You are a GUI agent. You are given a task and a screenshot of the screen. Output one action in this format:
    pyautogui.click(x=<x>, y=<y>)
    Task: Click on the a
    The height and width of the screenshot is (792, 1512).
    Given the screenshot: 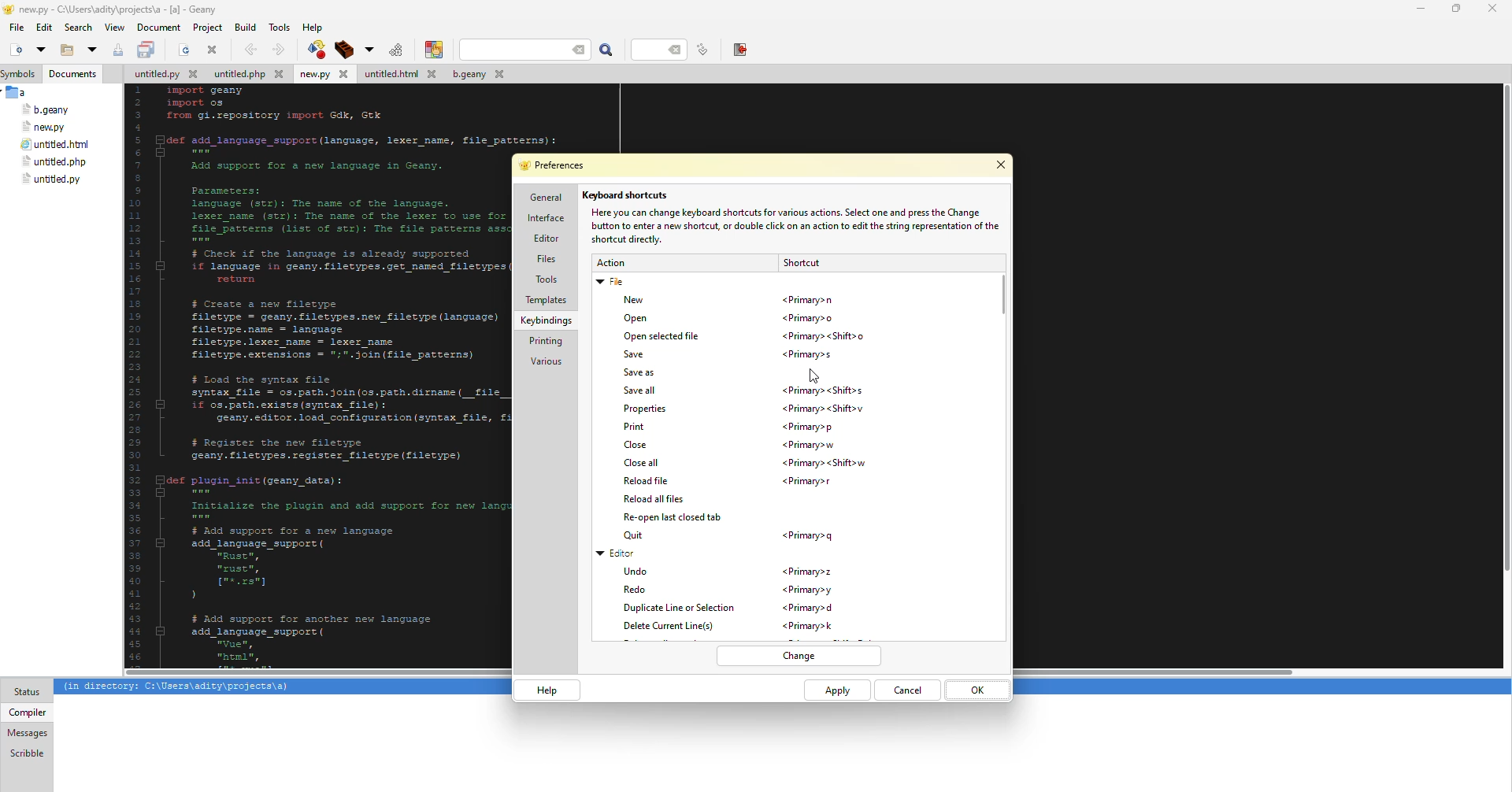 What is the action you would take?
    pyautogui.click(x=18, y=92)
    